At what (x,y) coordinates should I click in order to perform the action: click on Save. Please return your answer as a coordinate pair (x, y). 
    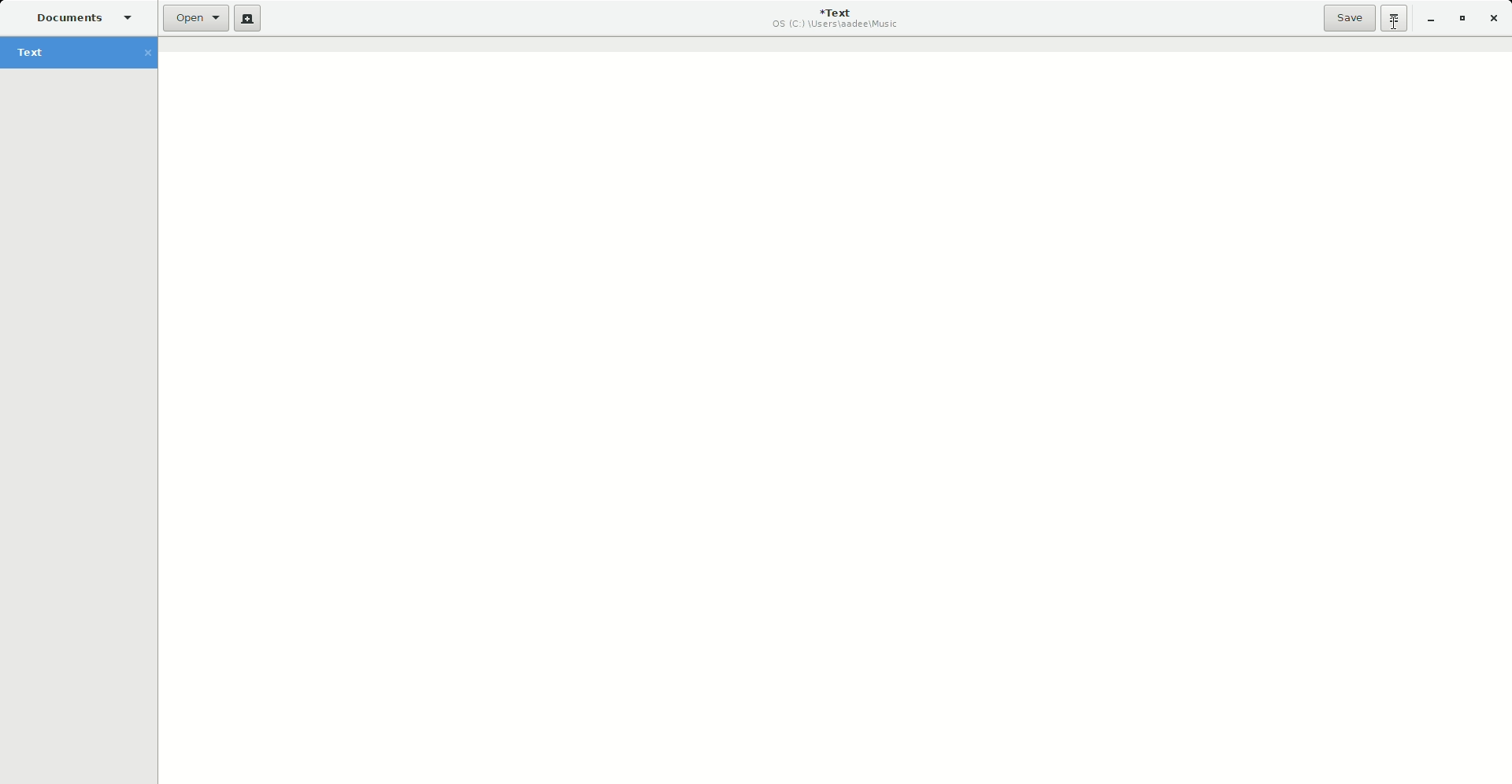
    Looking at the image, I should click on (1349, 18).